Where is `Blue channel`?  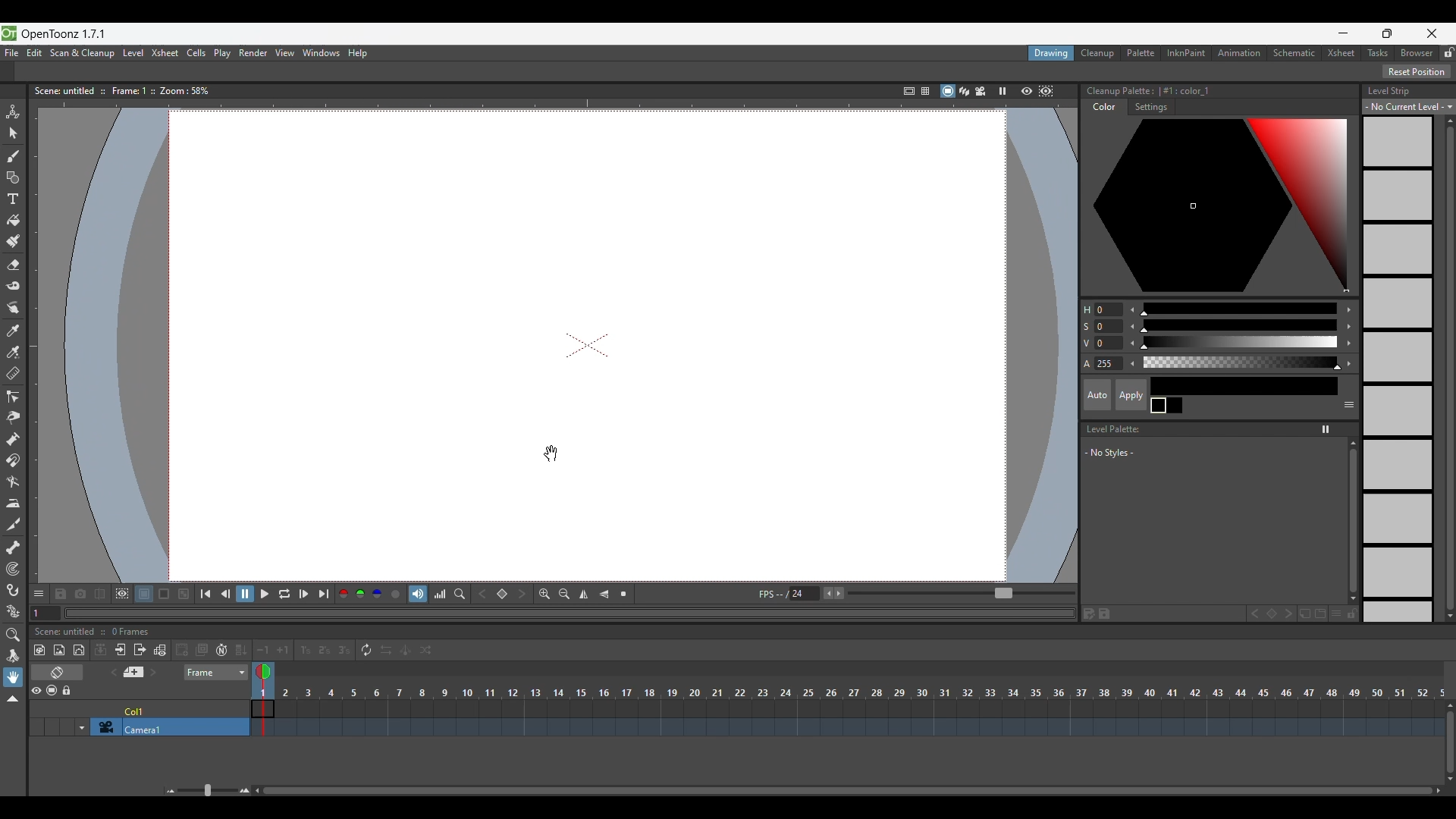 Blue channel is located at coordinates (377, 591).